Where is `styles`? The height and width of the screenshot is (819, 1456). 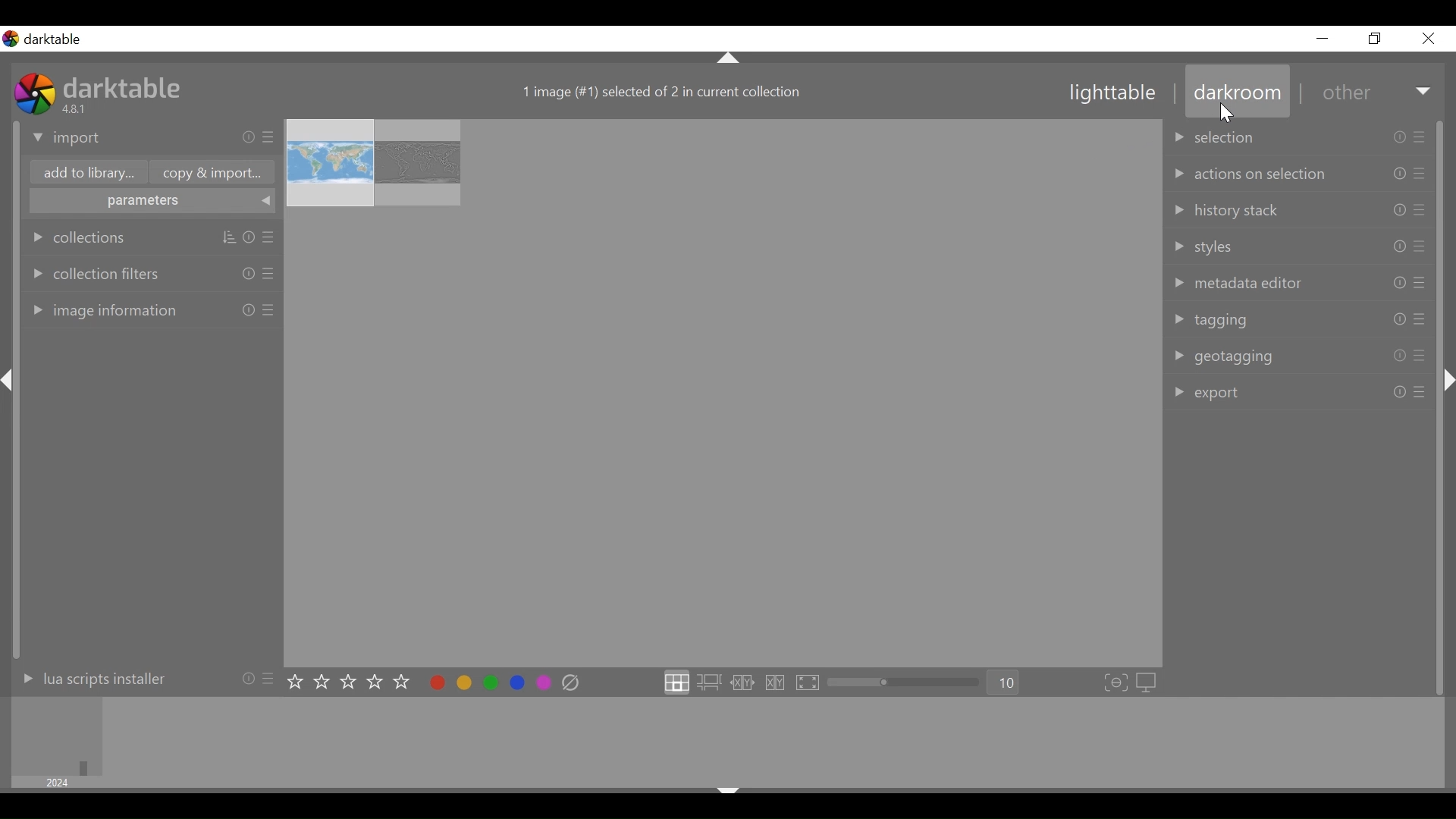 styles is located at coordinates (1302, 246).